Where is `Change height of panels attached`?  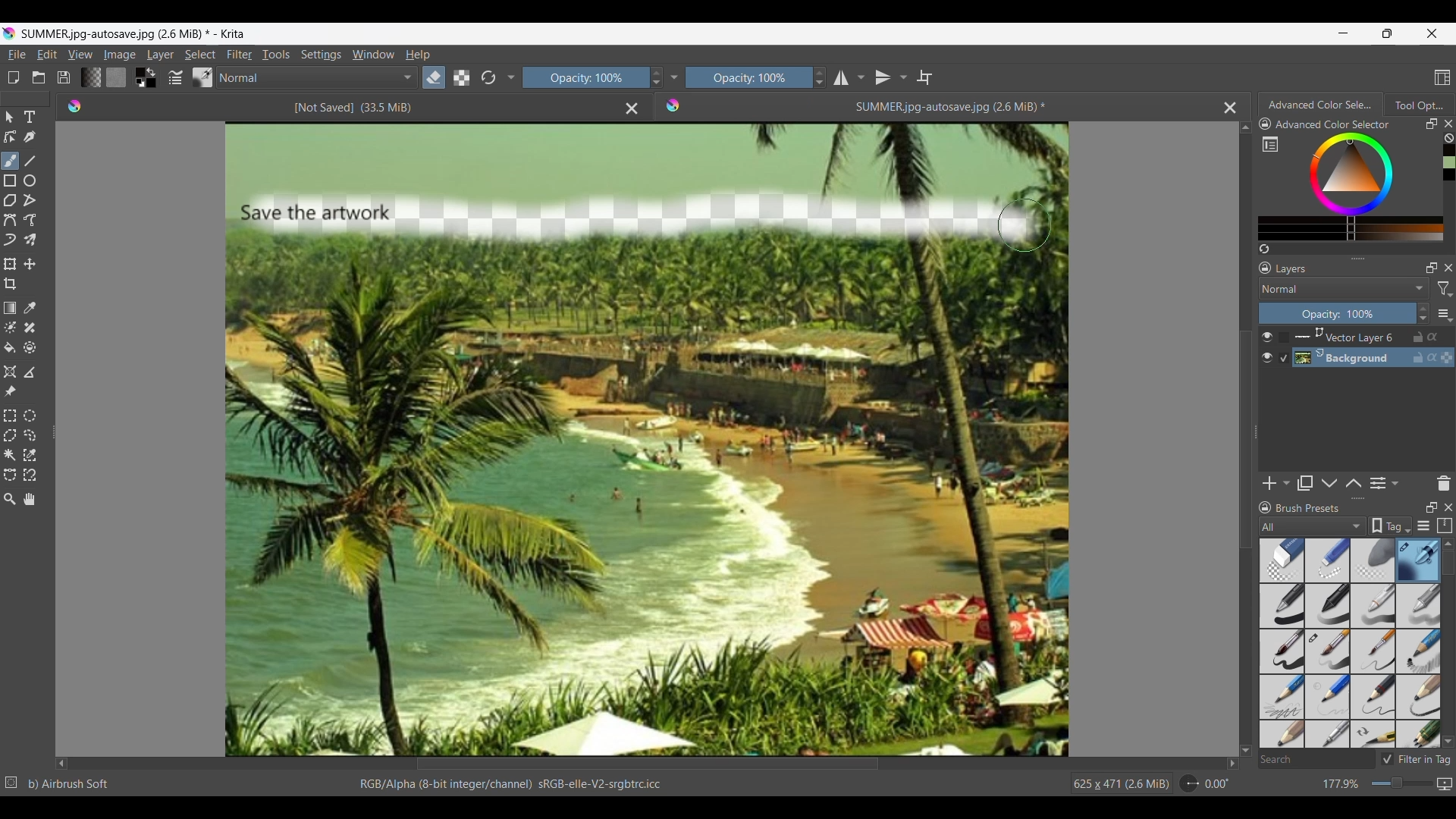 Change height of panels attached is located at coordinates (1351, 498).